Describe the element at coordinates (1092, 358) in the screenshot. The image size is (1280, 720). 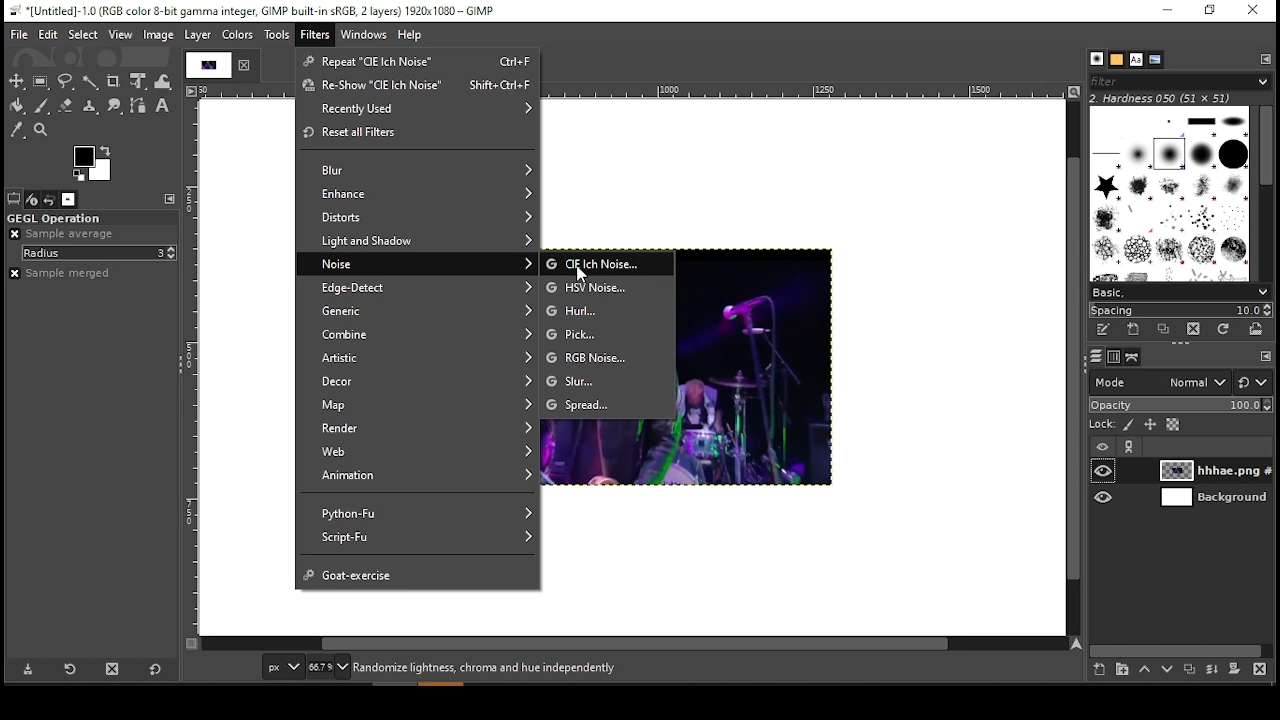
I see `layers` at that location.